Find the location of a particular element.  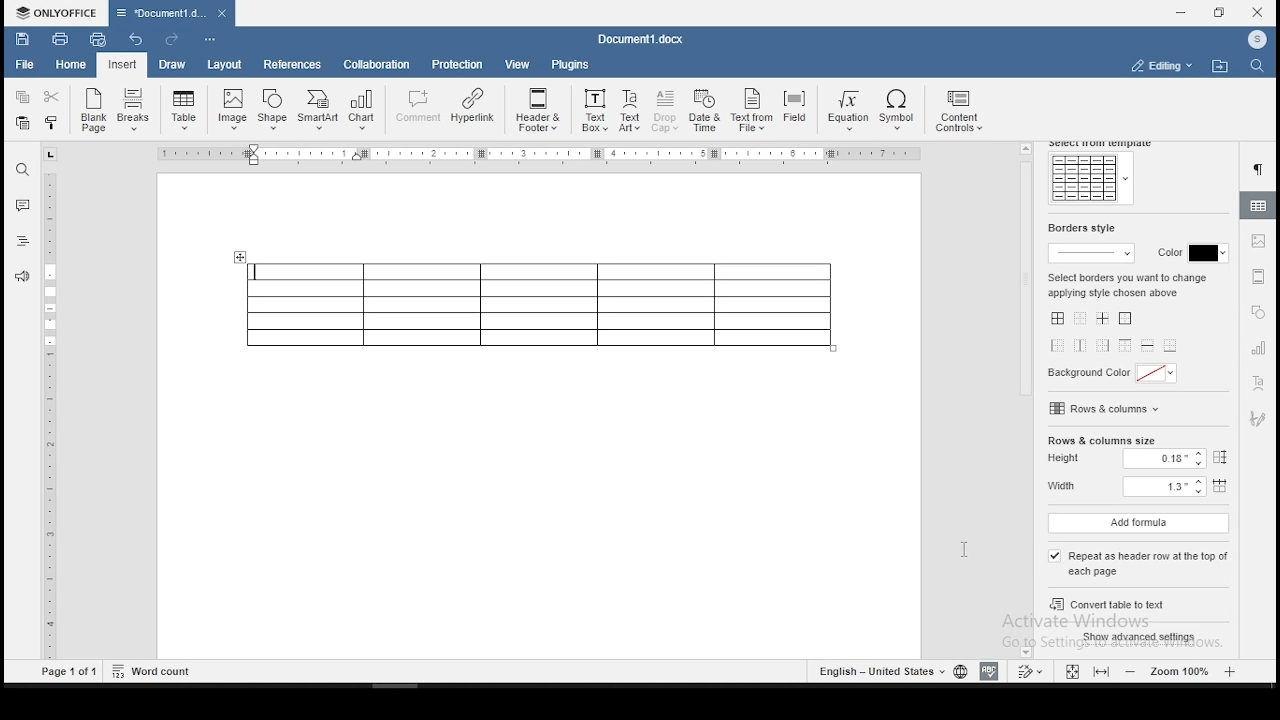

fit to window is located at coordinates (1071, 671).